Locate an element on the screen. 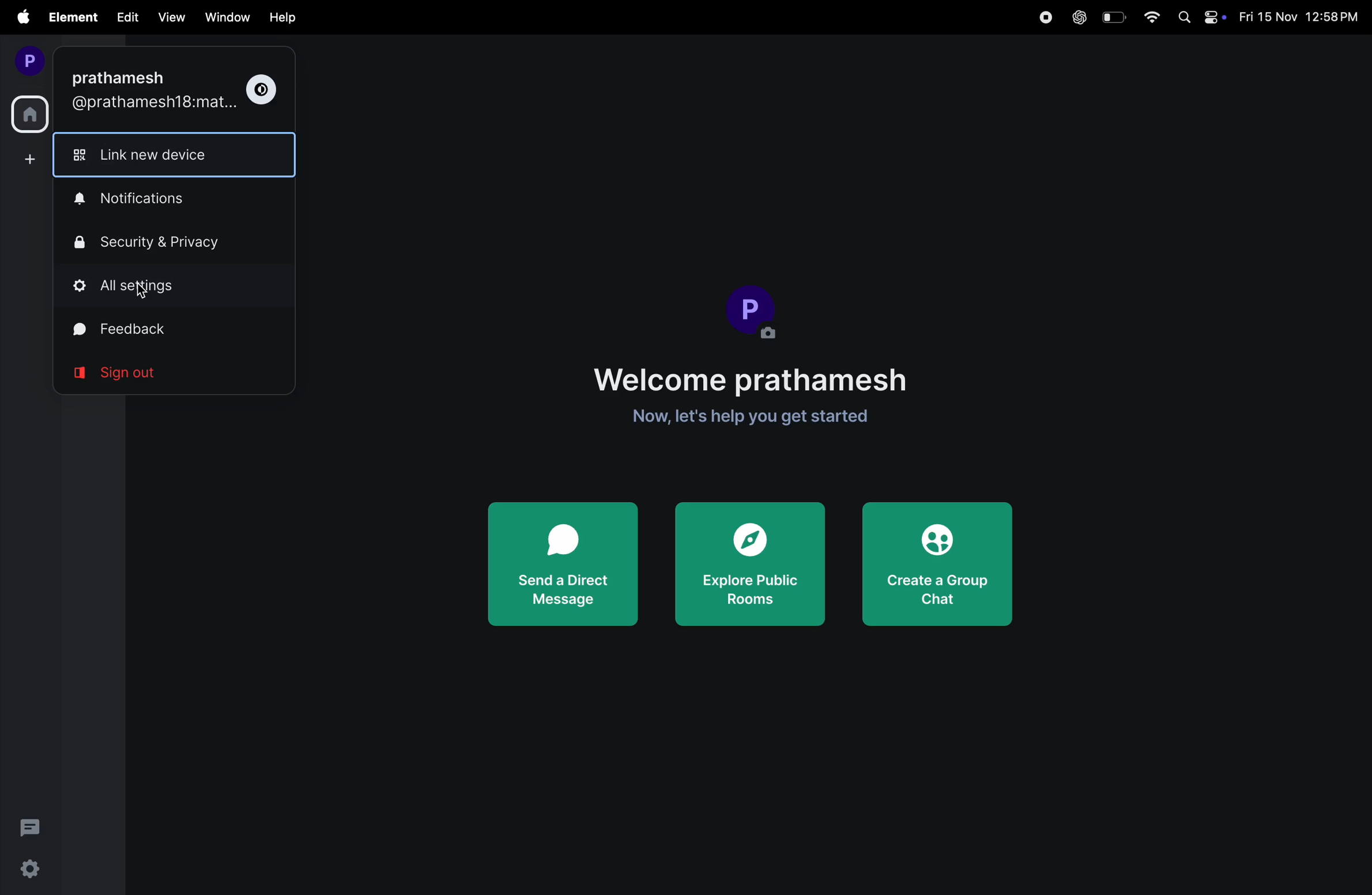 This screenshot has width=1372, height=895. settings is located at coordinates (33, 870).